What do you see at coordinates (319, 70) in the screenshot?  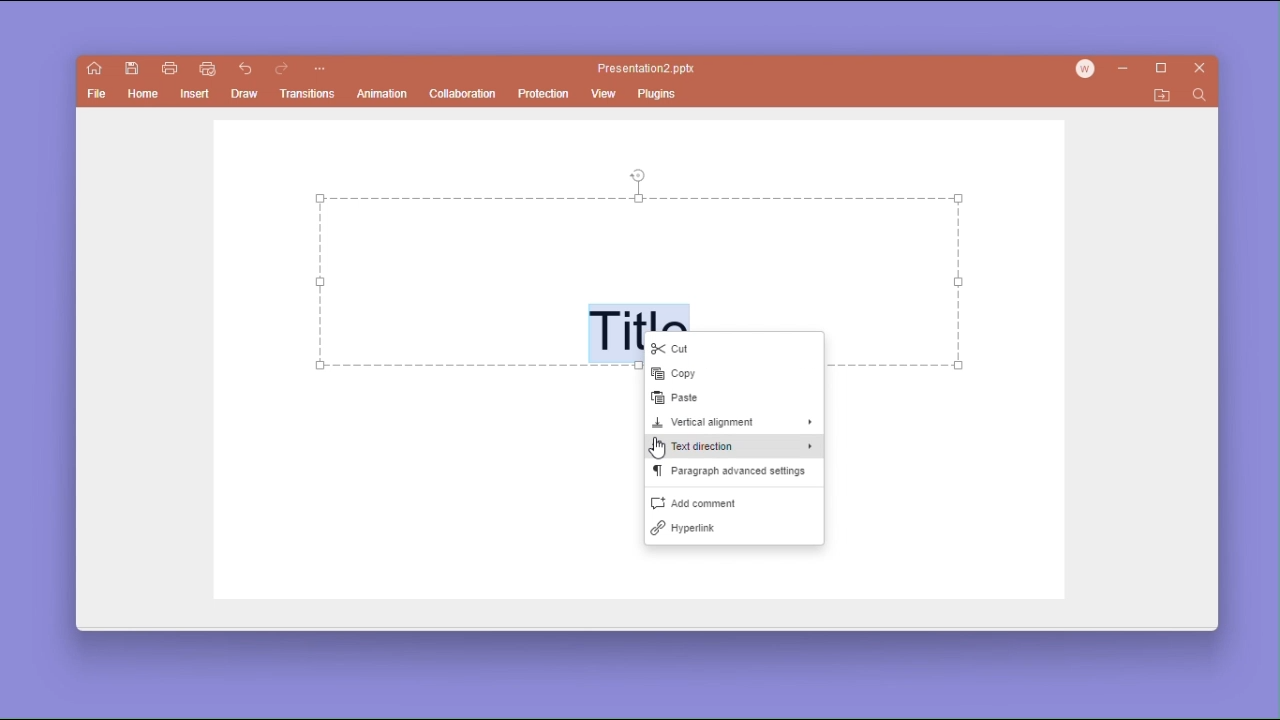 I see `customize quick access toolbar` at bounding box center [319, 70].